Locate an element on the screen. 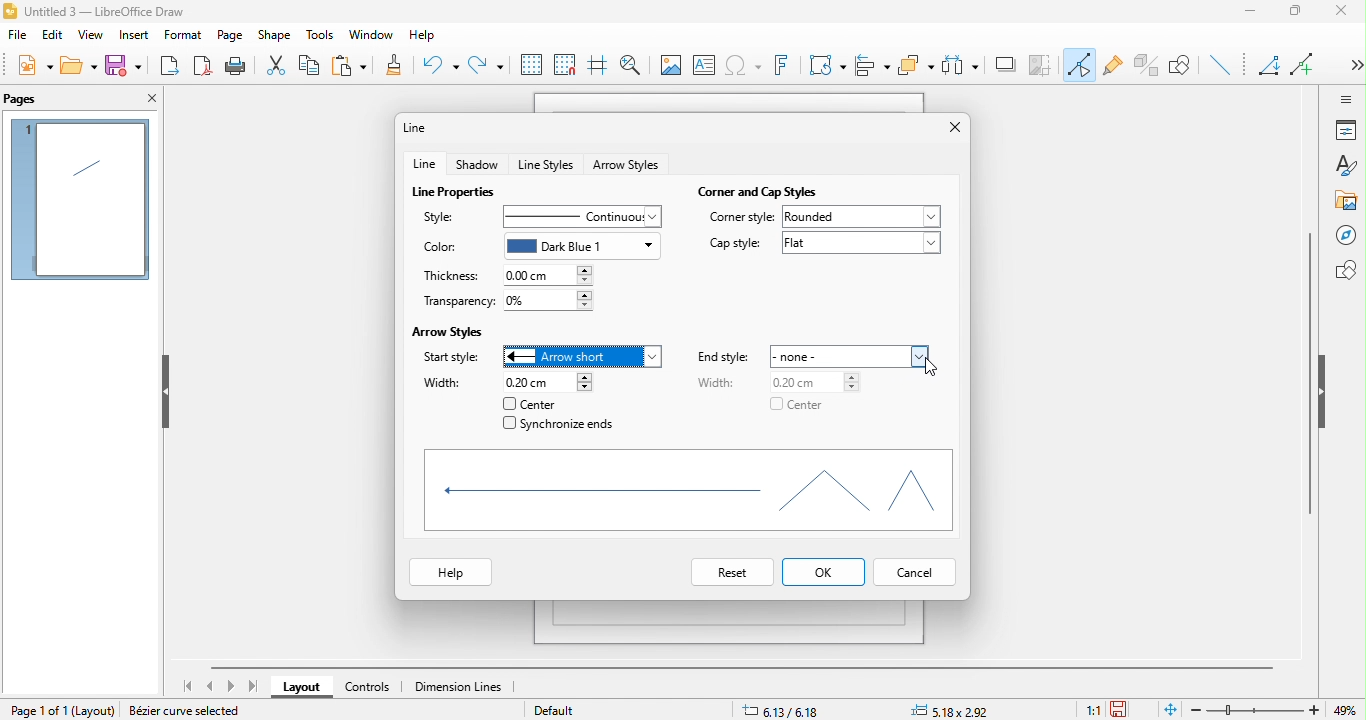  first page is located at coordinates (191, 686).